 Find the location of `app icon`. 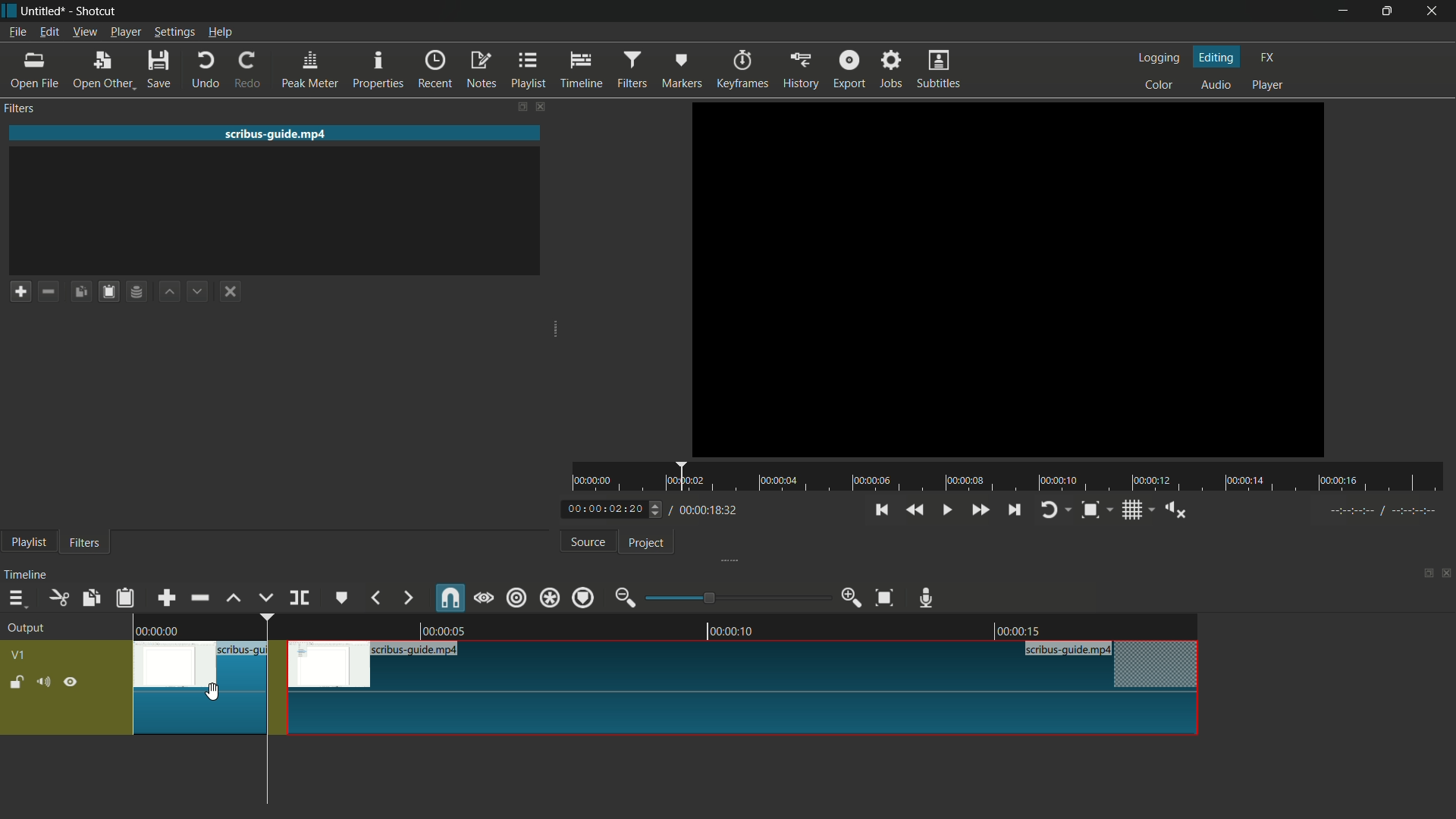

app icon is located at coordinates (9, 9).